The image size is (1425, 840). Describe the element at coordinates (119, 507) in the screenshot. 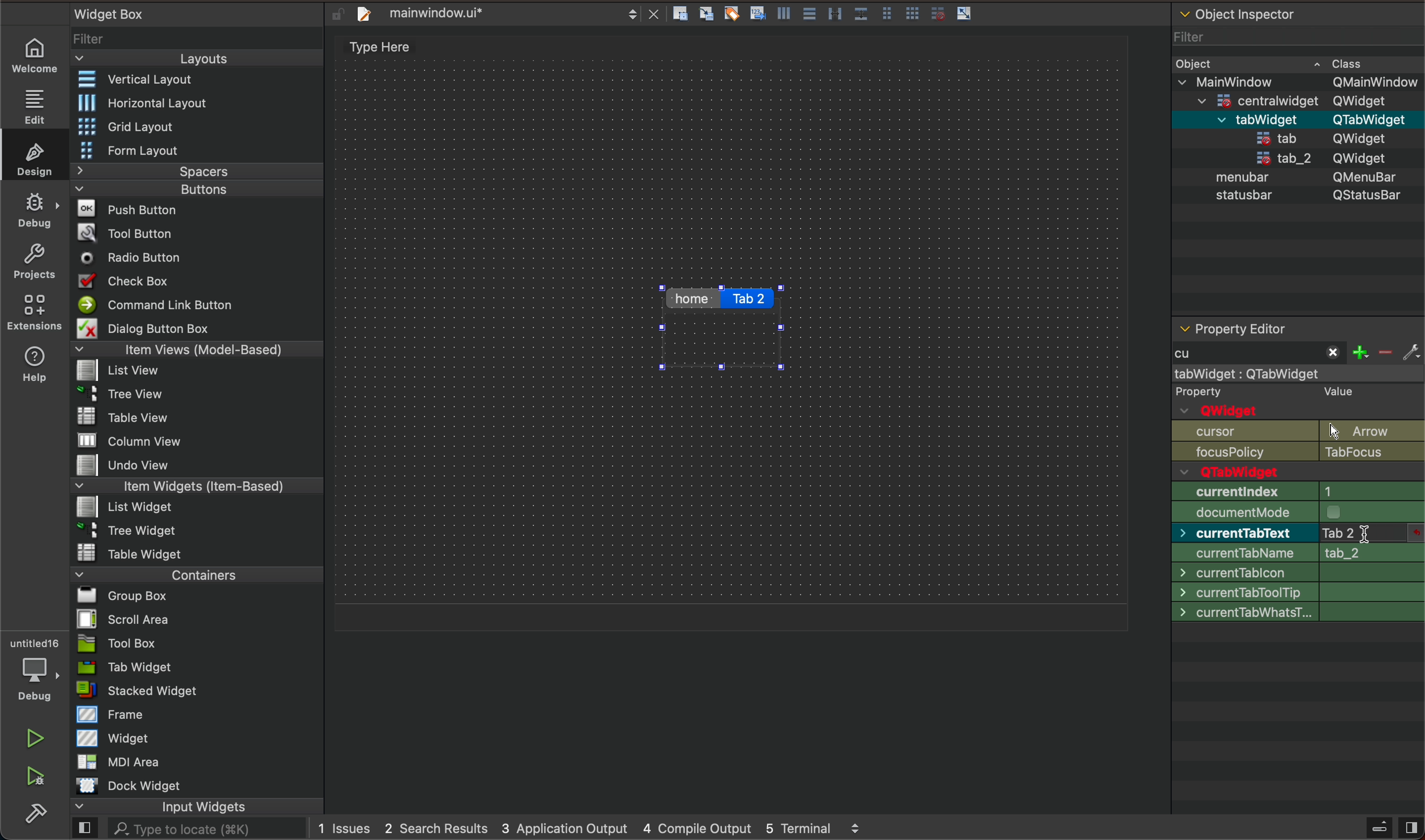

I see `List widget` at that location.